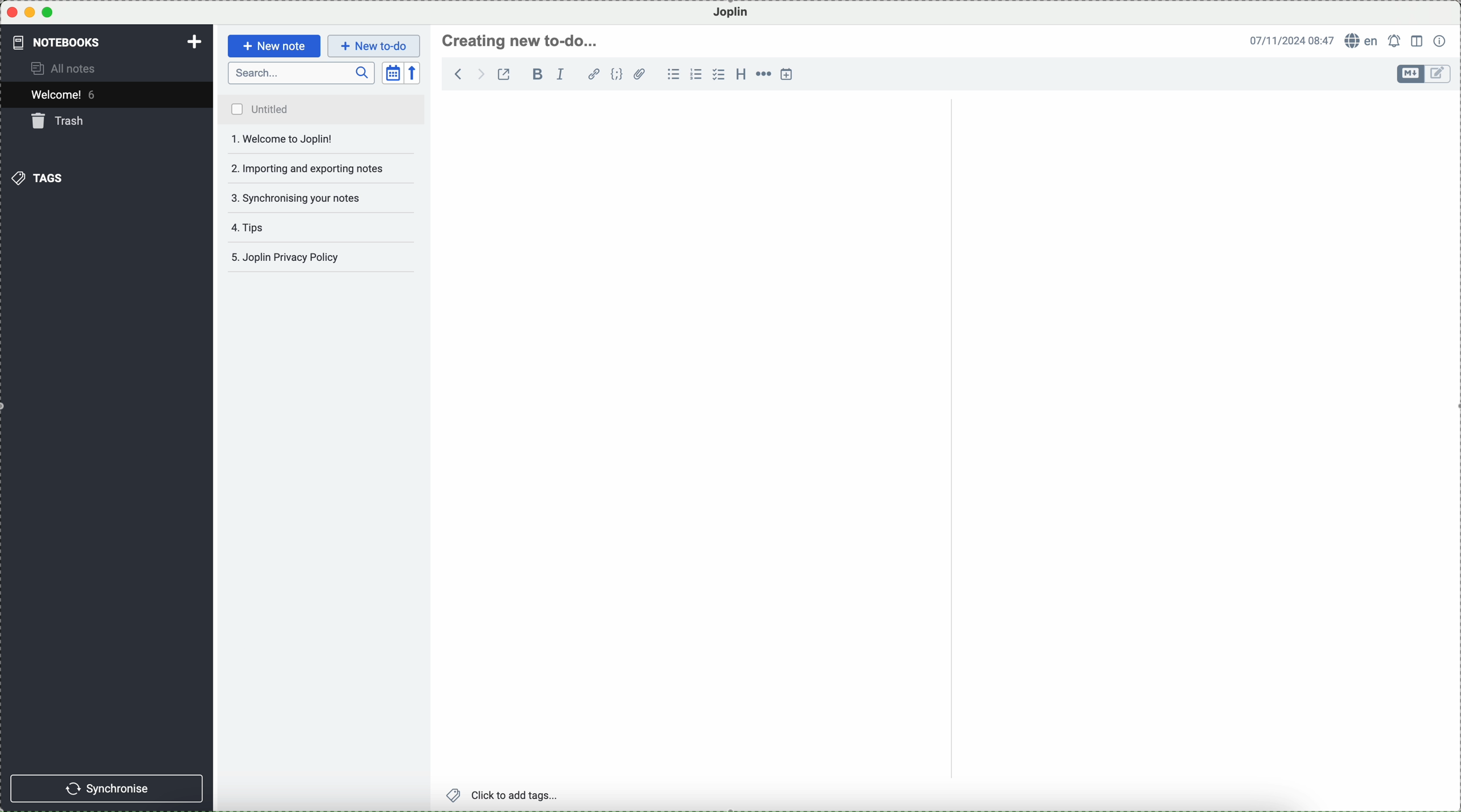 Image resolution: width=1461 pixels, height=812 pixels. I want to click on trash, so click(60, 121).